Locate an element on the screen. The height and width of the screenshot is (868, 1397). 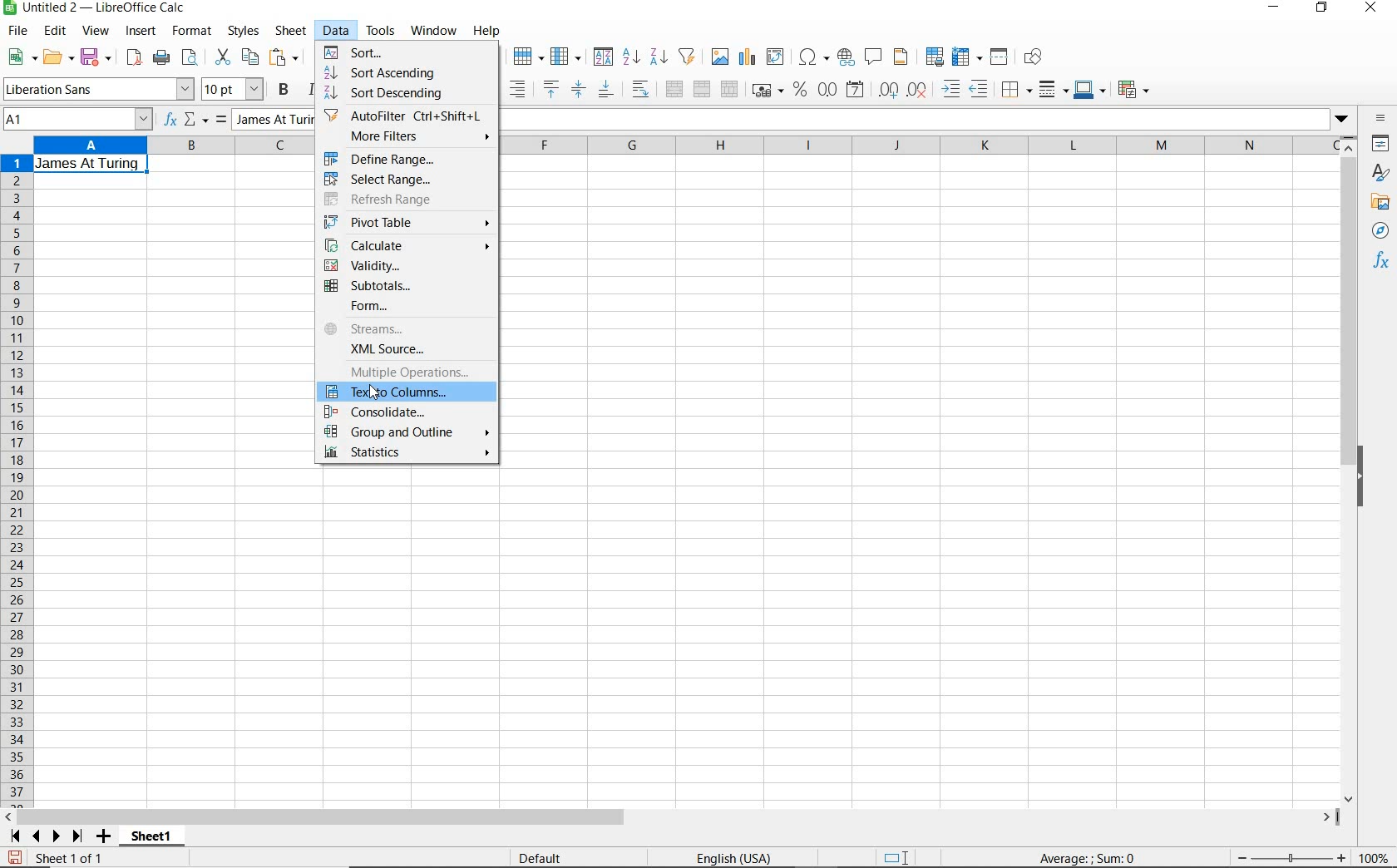
merge cells is located at coordinates (703, 91).